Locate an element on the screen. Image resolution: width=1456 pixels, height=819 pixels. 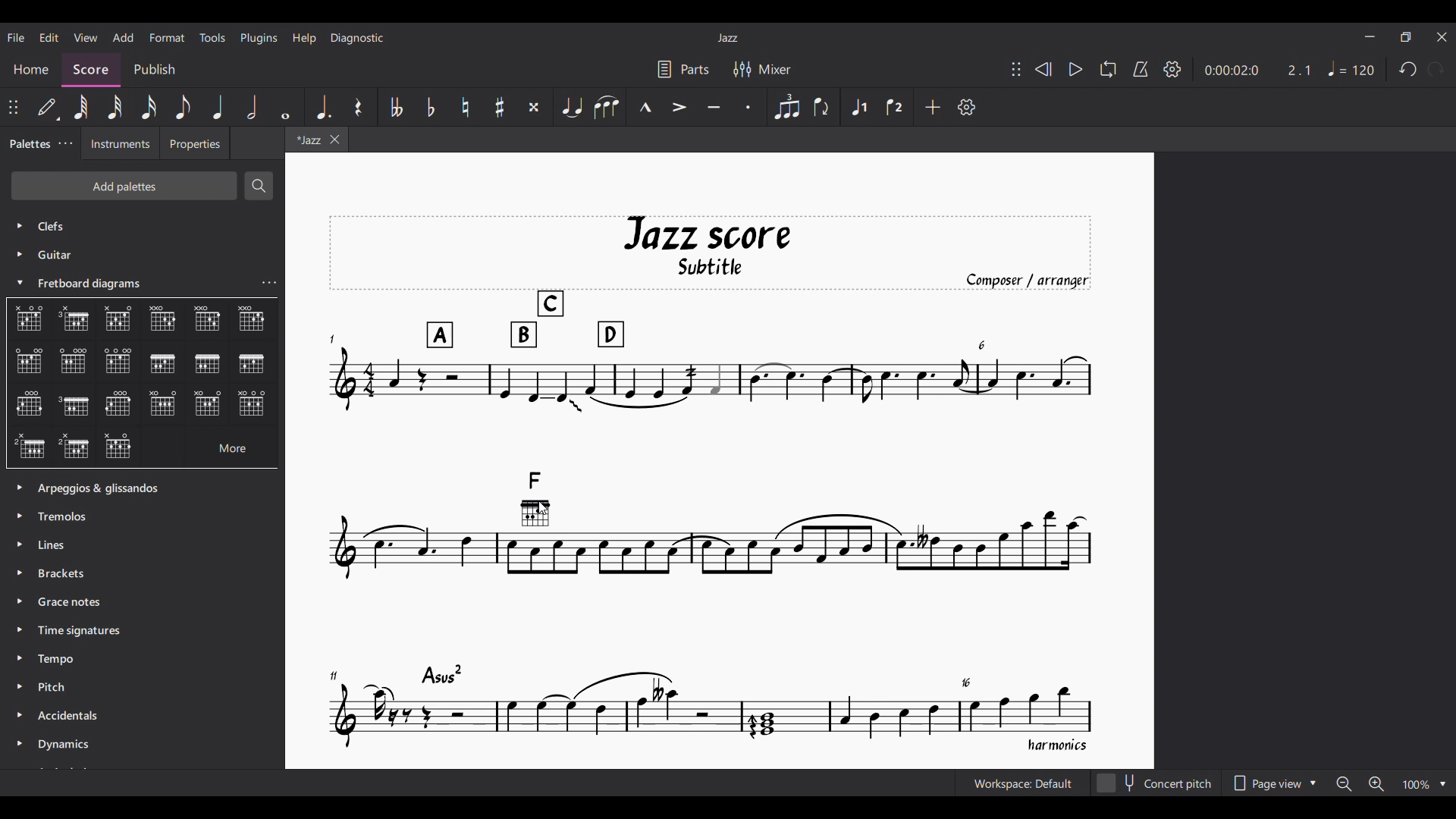
Tools menu is located at coordinates (212, 37).